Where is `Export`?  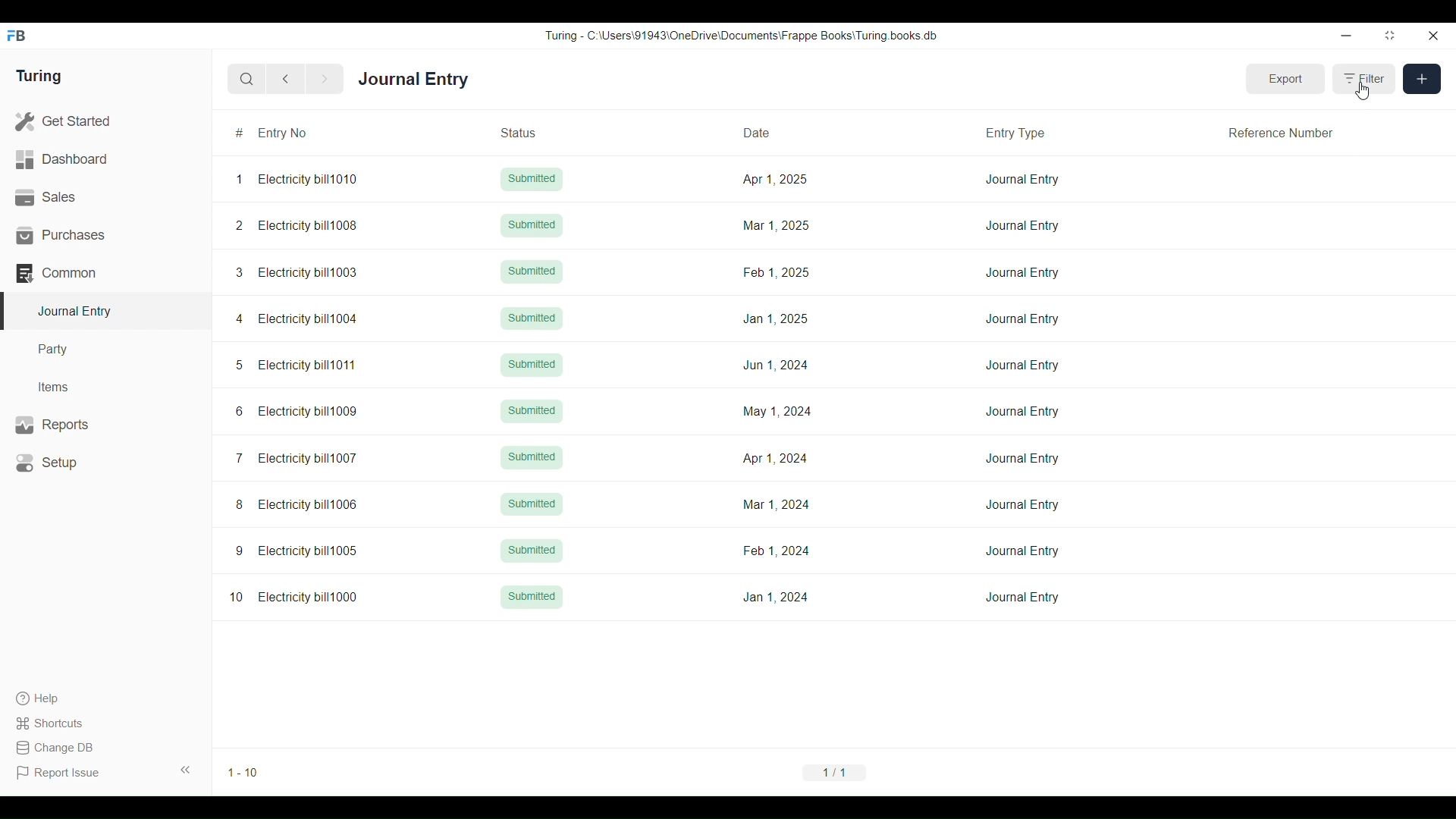 Export is located at coordinates (1286, 79).